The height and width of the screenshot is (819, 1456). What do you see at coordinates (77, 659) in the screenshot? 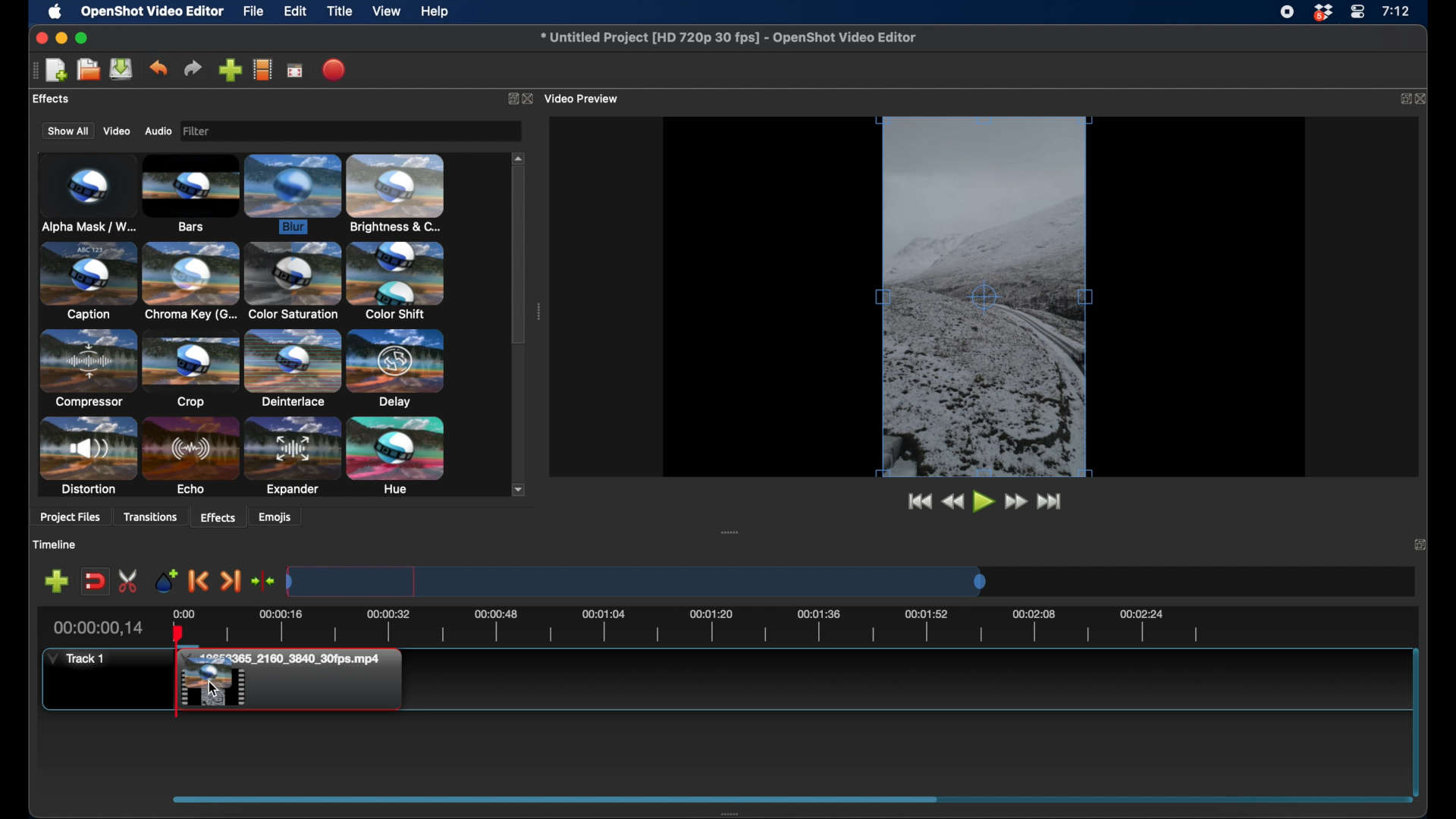
I see `track 1` at bounding box center [77, 659].